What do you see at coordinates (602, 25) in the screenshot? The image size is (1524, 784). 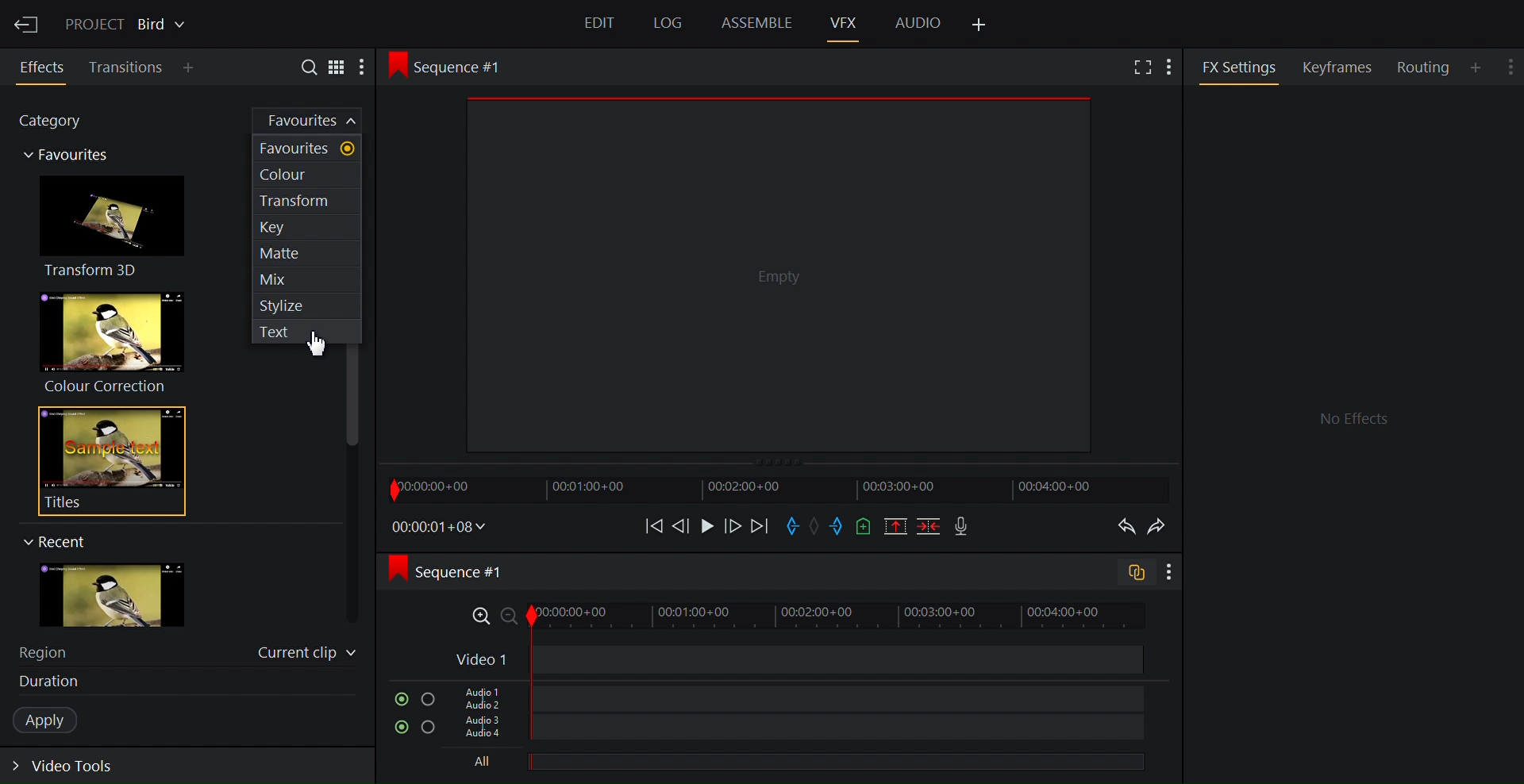 I see `Edit` at bounding box center [602, 25].